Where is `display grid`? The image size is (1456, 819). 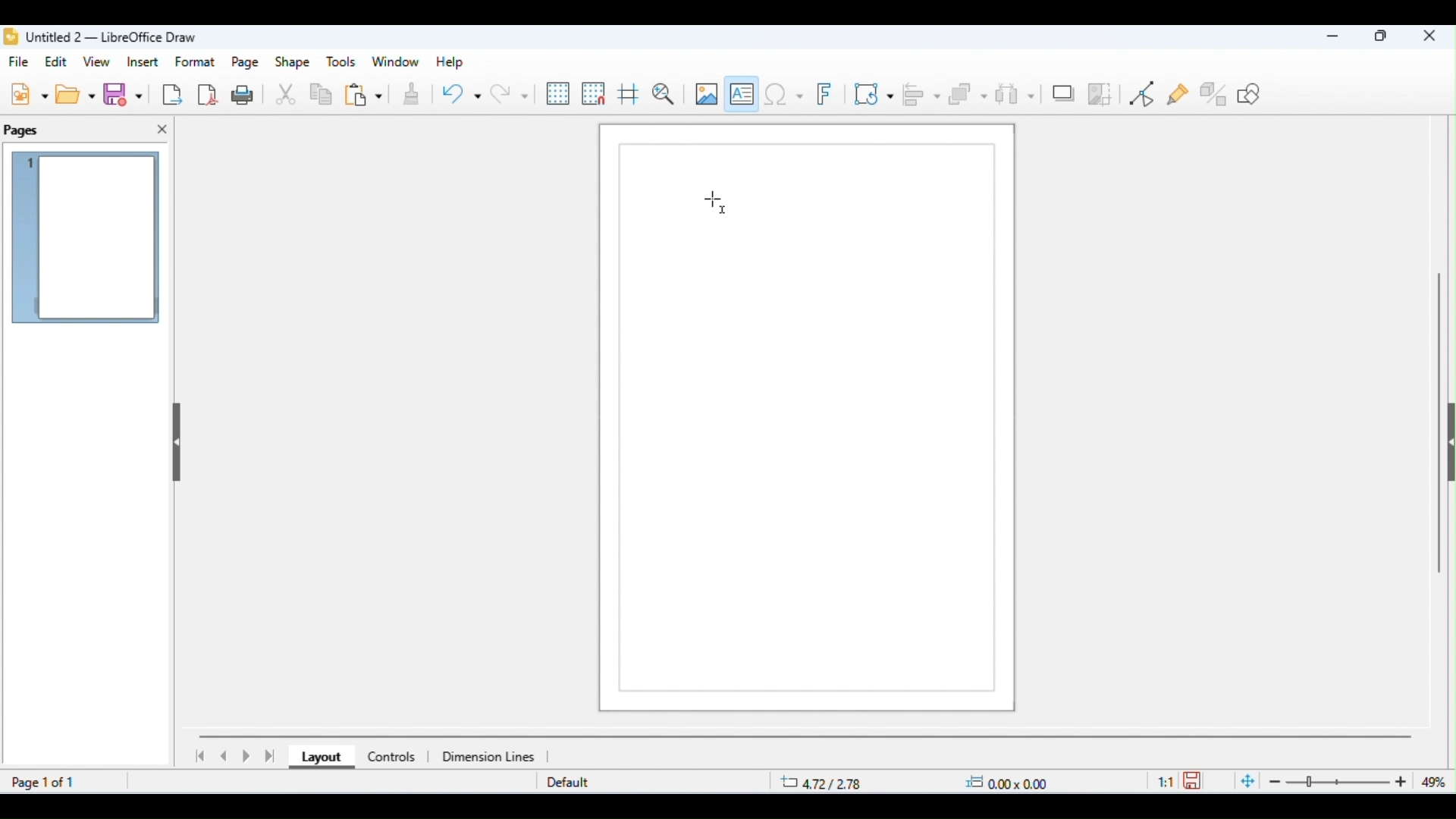
display grid is located at coordinates (559, 94).